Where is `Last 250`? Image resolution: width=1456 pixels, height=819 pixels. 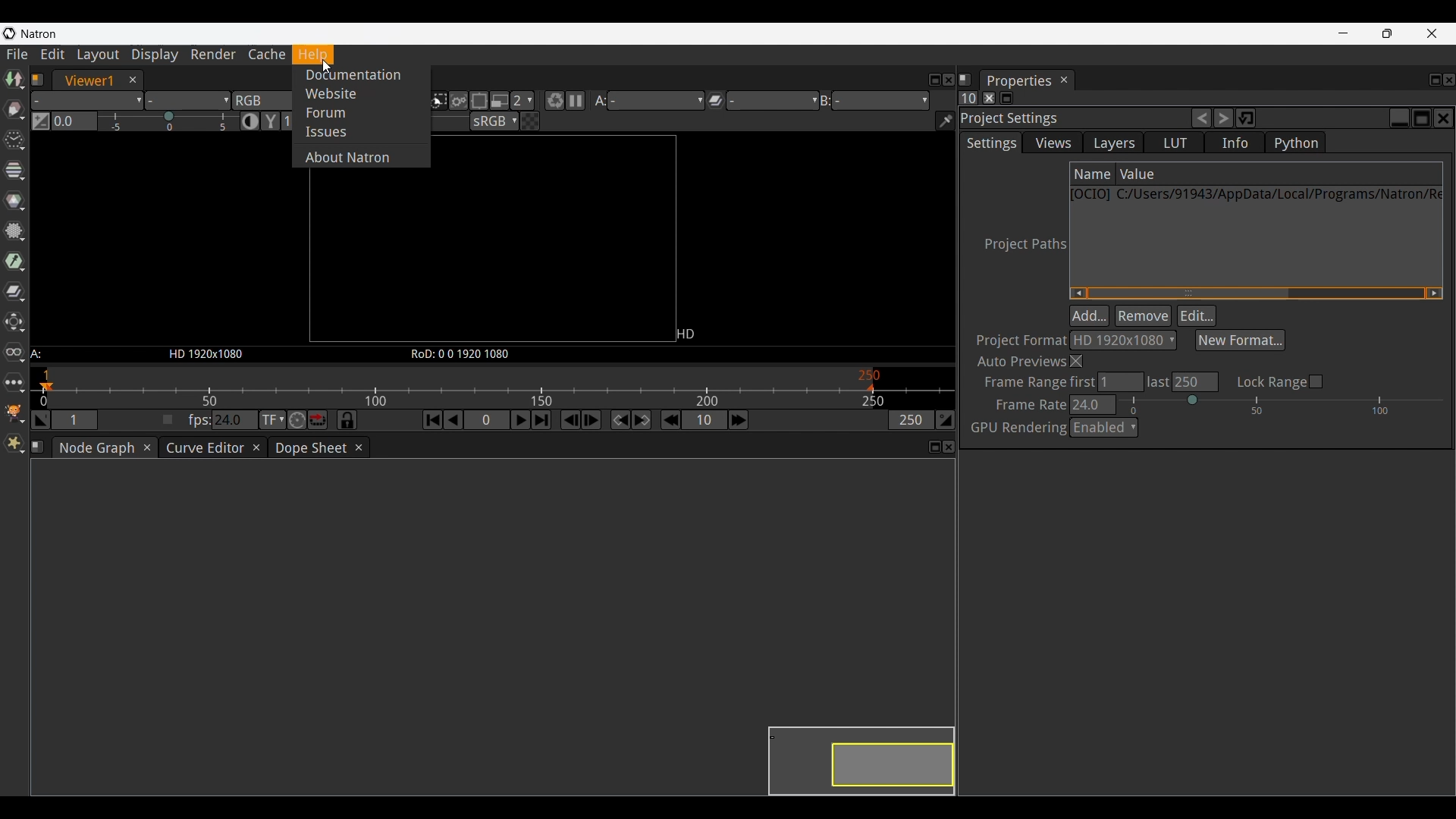 Last 250 is located at coordinates (1183, 382).